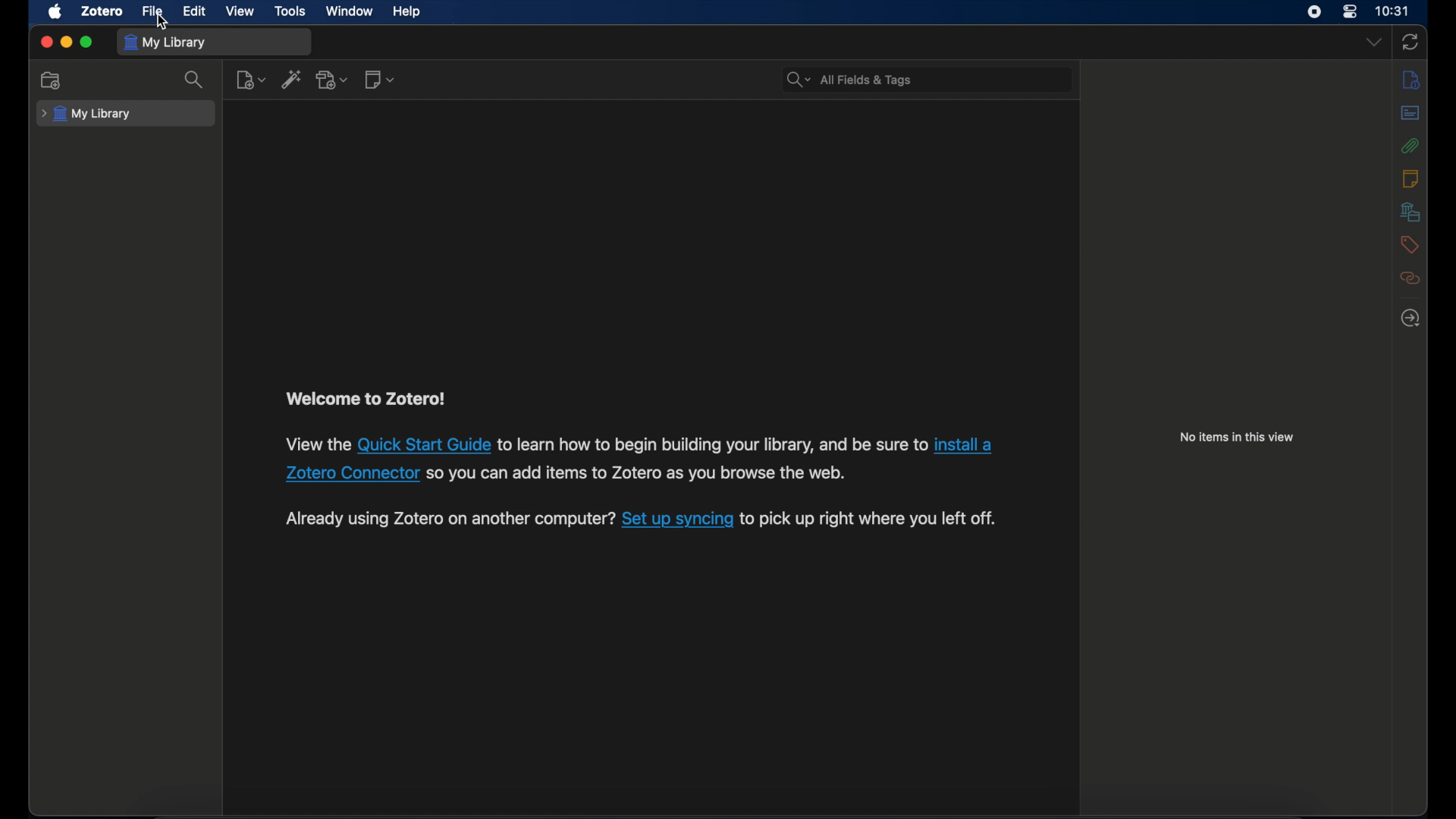 Image resolution: width=1456 pixels, height=819 pixels. I want to click on my library, so click(86, 114).